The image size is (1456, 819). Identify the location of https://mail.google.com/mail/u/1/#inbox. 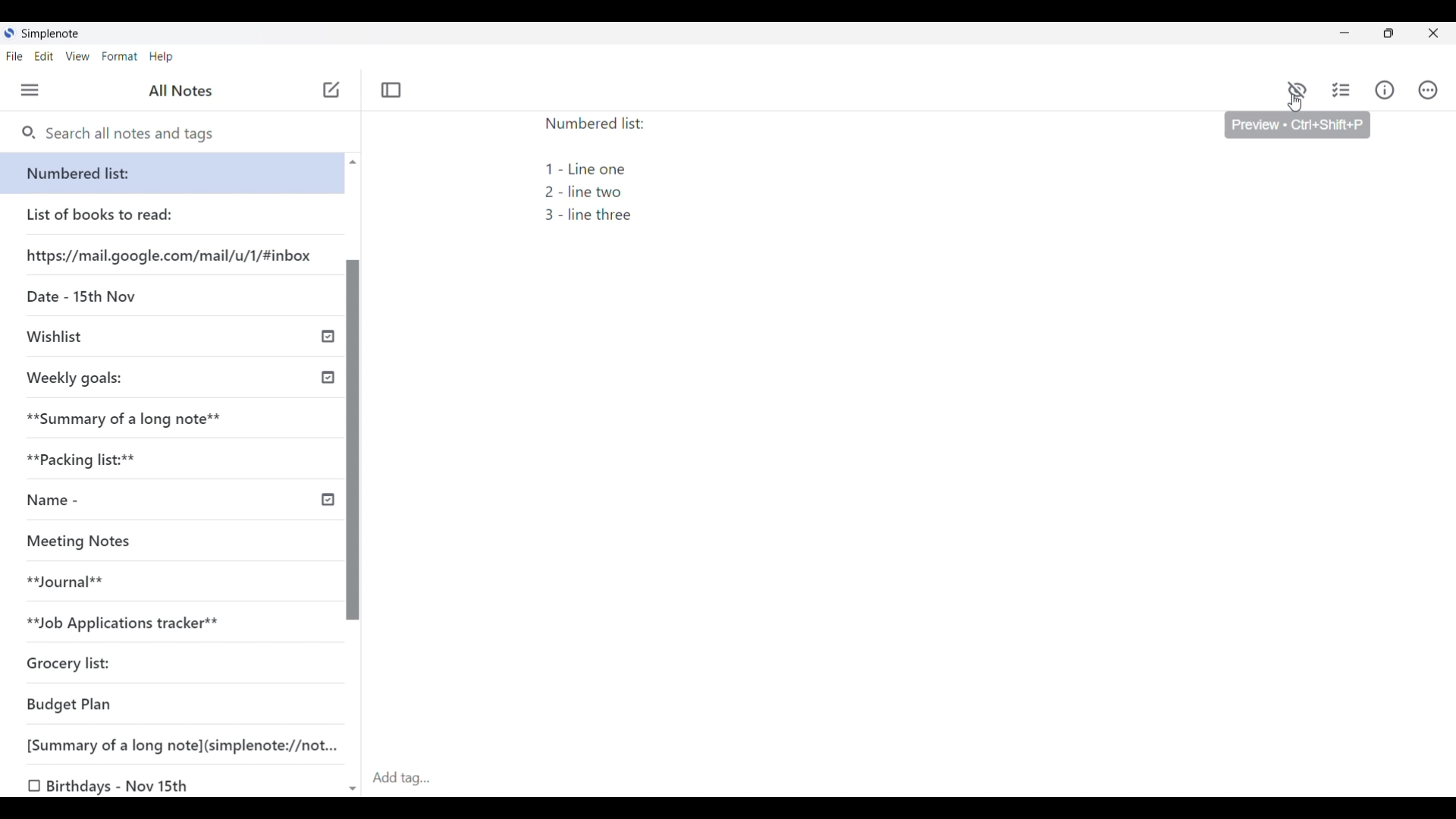
(171, 256).